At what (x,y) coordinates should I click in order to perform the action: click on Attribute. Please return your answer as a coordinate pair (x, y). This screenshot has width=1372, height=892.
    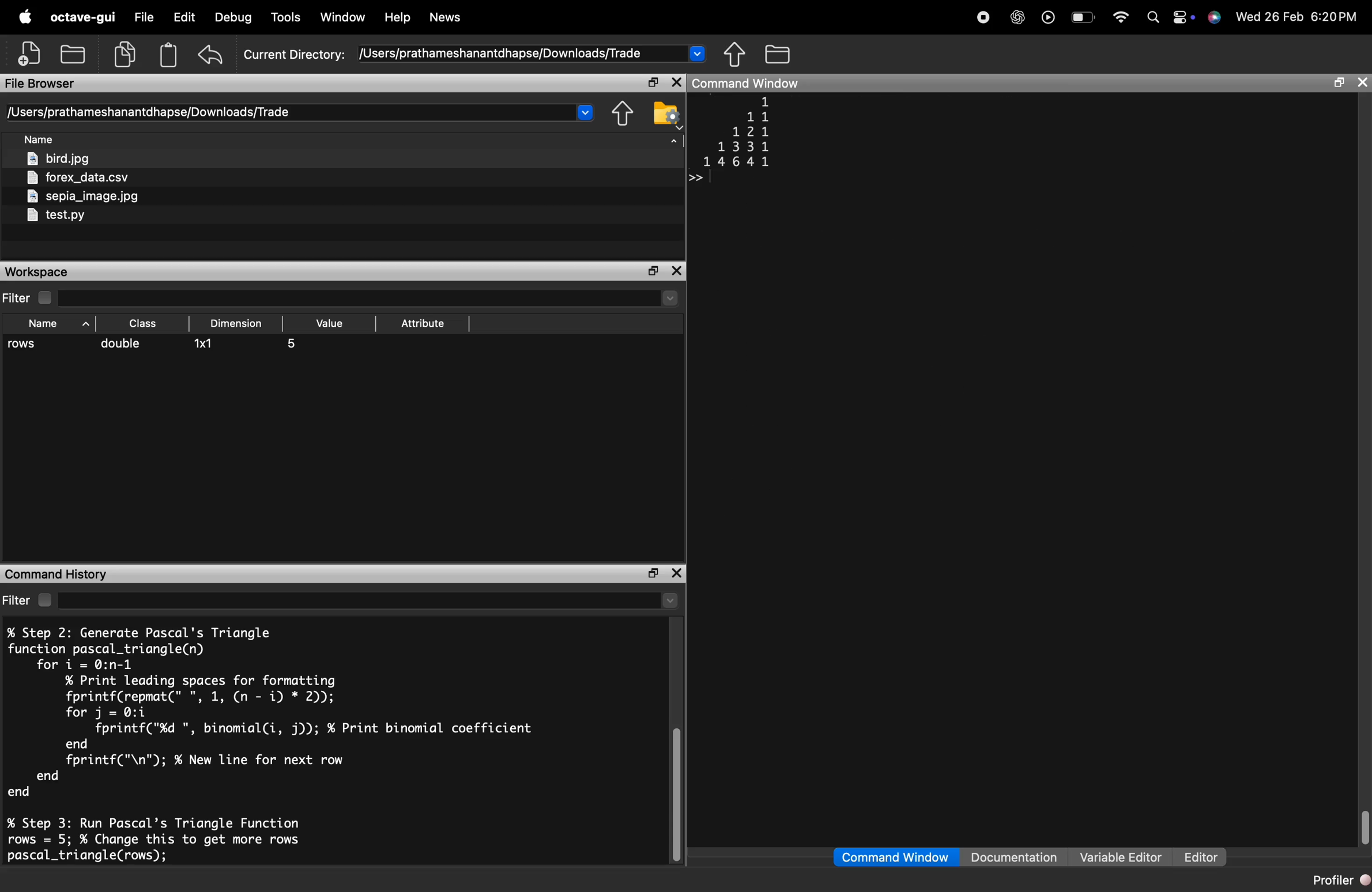
    Looking at the image, I should click on (424, 324).